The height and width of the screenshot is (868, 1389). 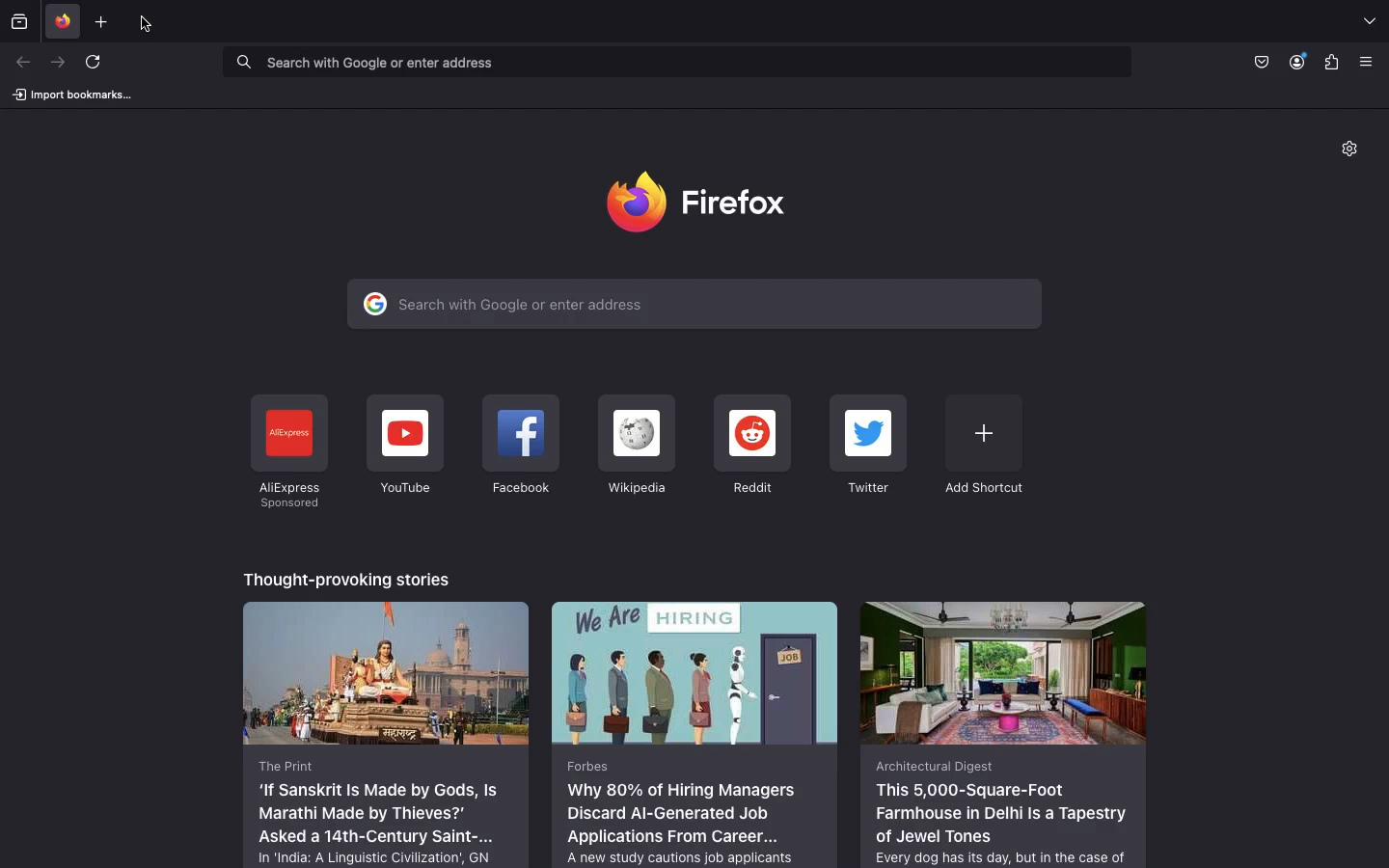 I want to click on Reddit, so click(x=752, y=447).